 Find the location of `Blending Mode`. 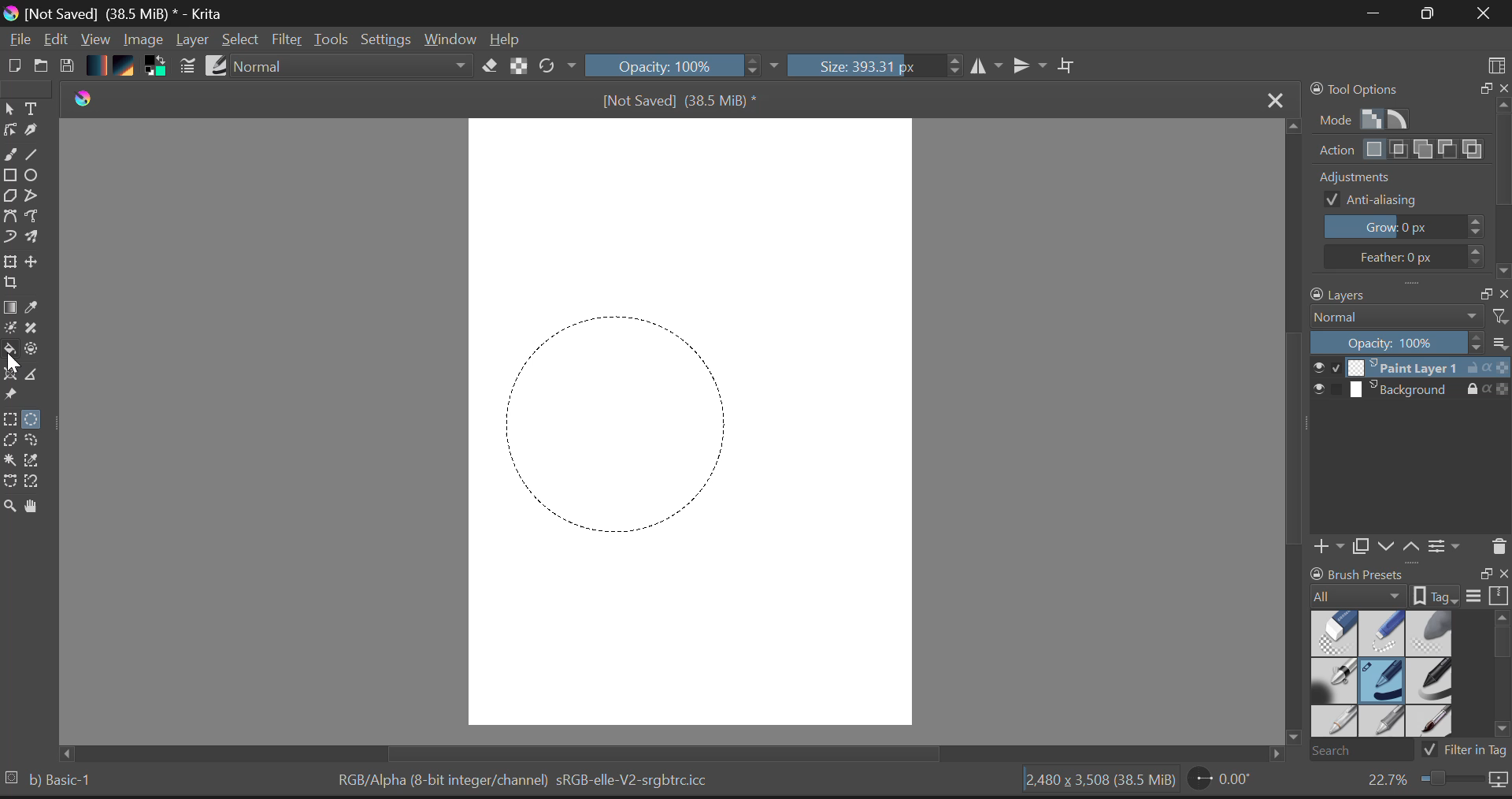

Blending Mode is located at coordinates (351, 68).